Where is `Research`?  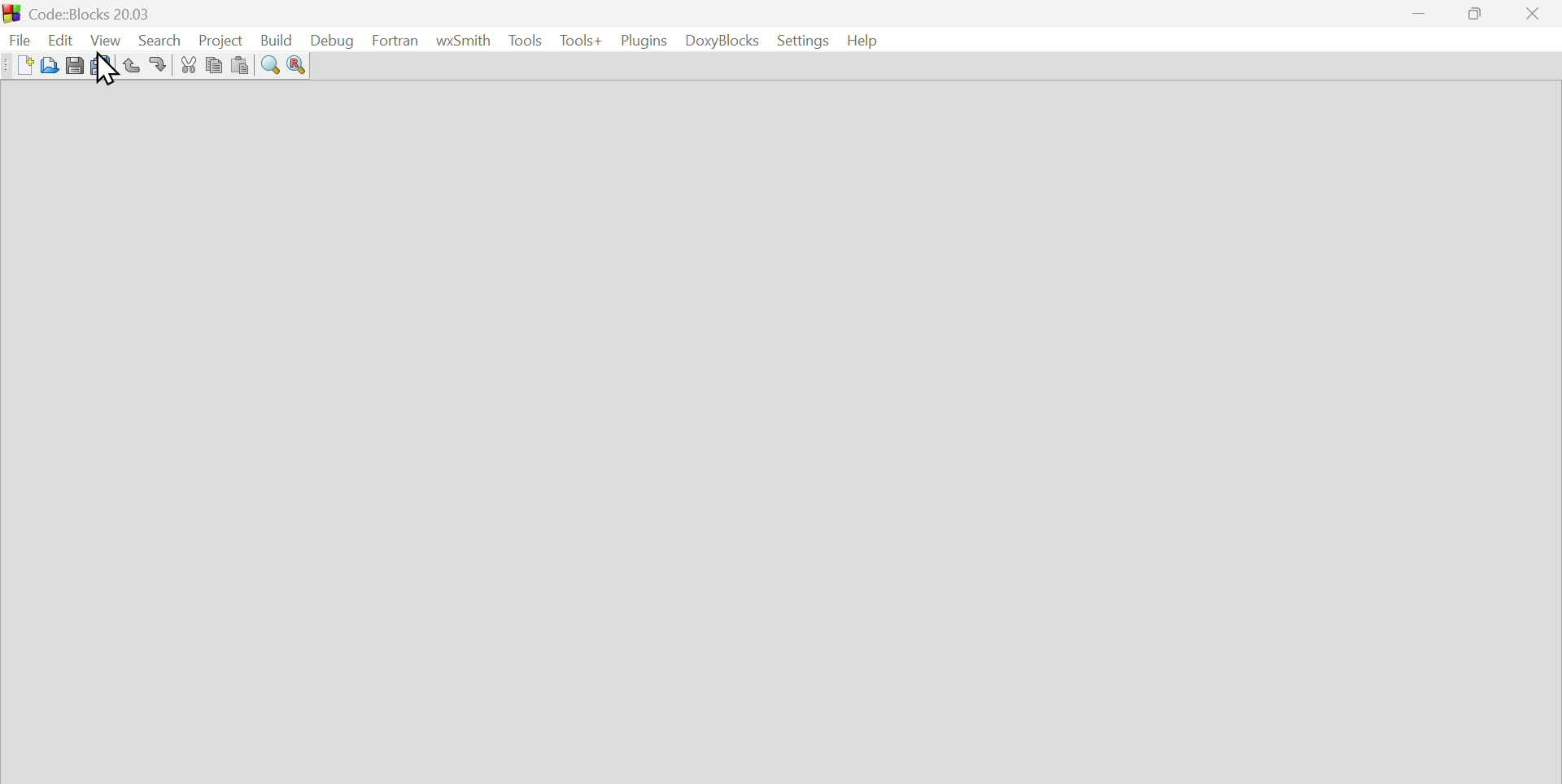 Research is located at coordinates (298, 63).